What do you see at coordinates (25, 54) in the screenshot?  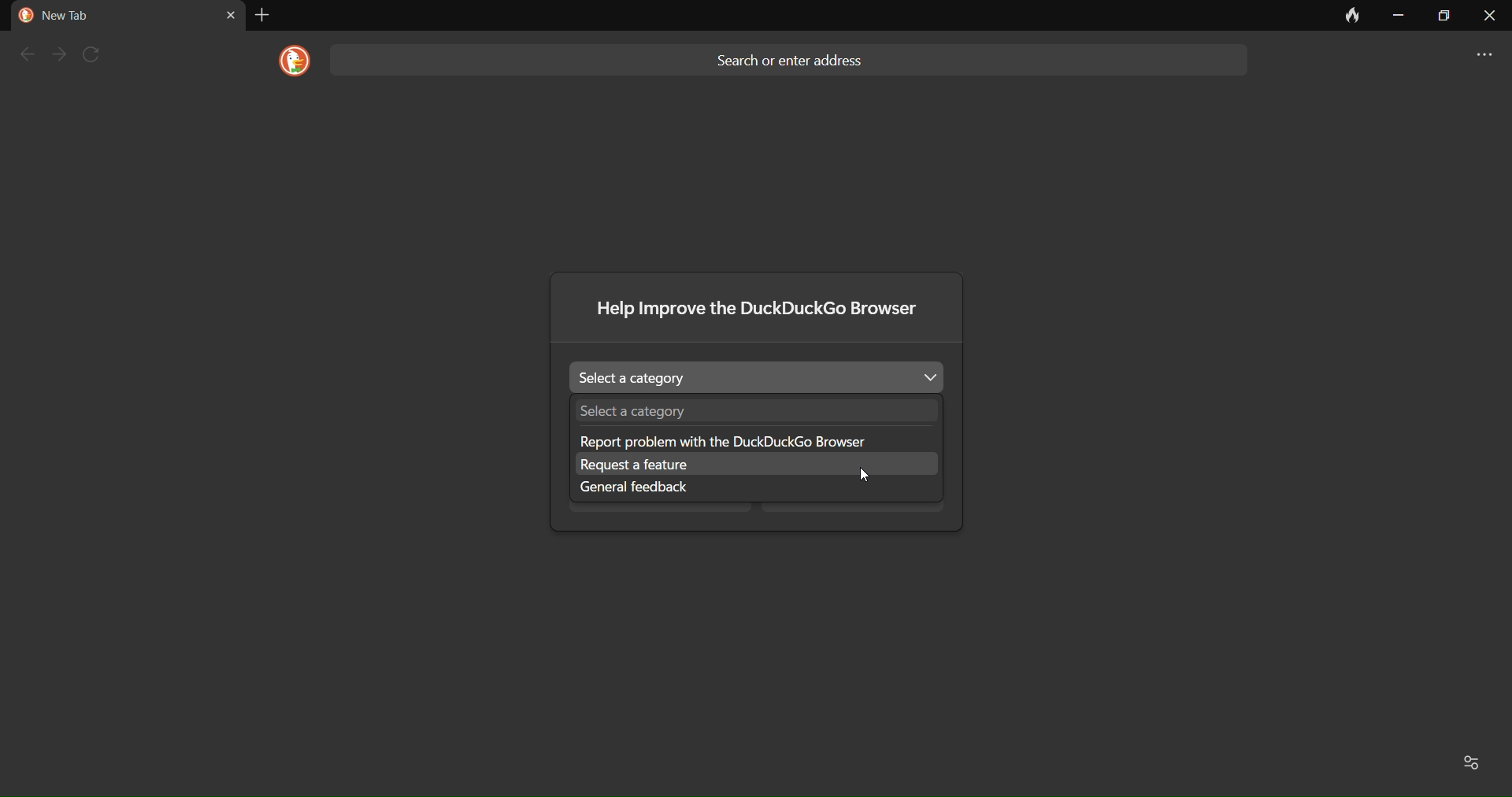 I see `back` at bounding box center [25, 54].